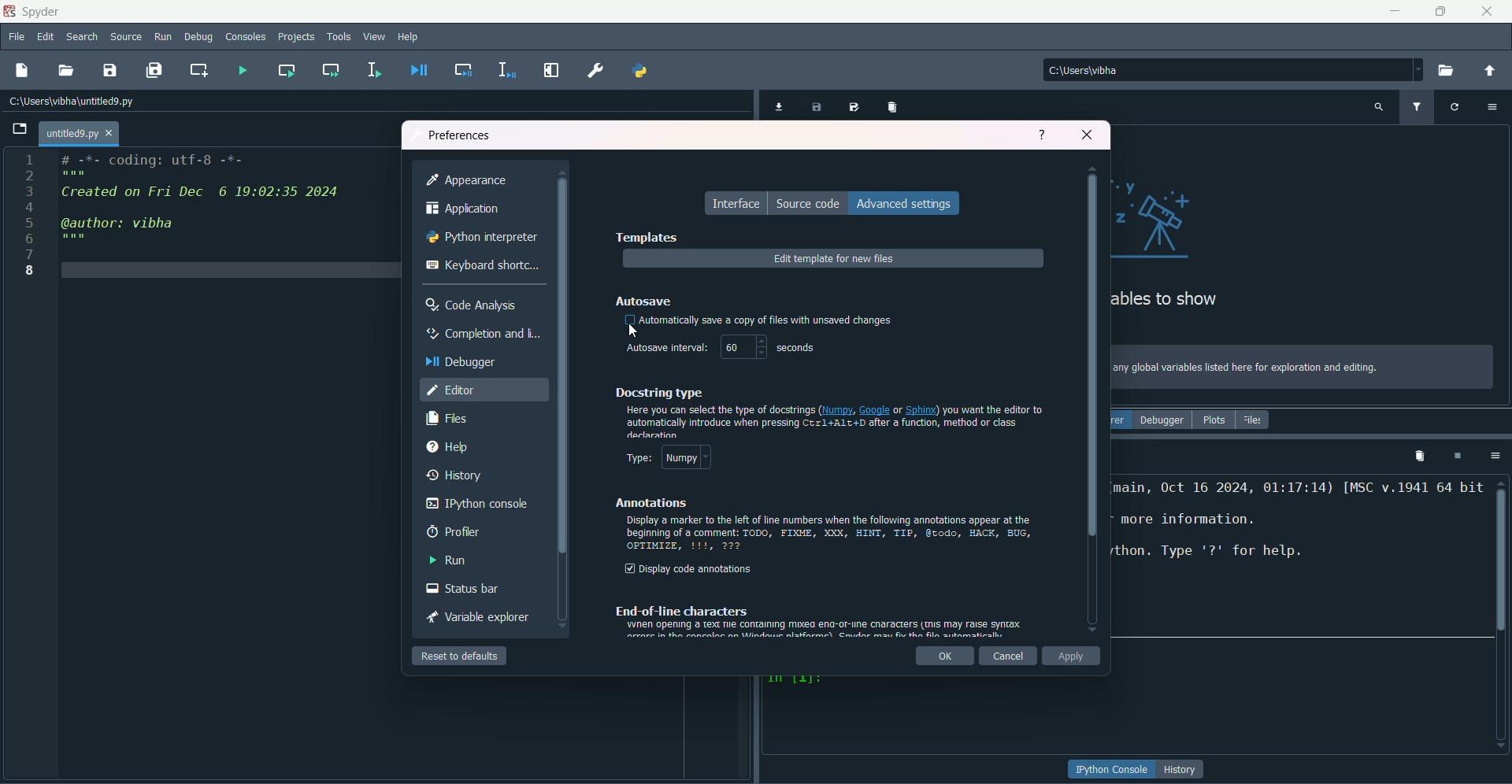 This screenshot has height=784, width=1512. I want to click on debugger, so click(1162, 420).